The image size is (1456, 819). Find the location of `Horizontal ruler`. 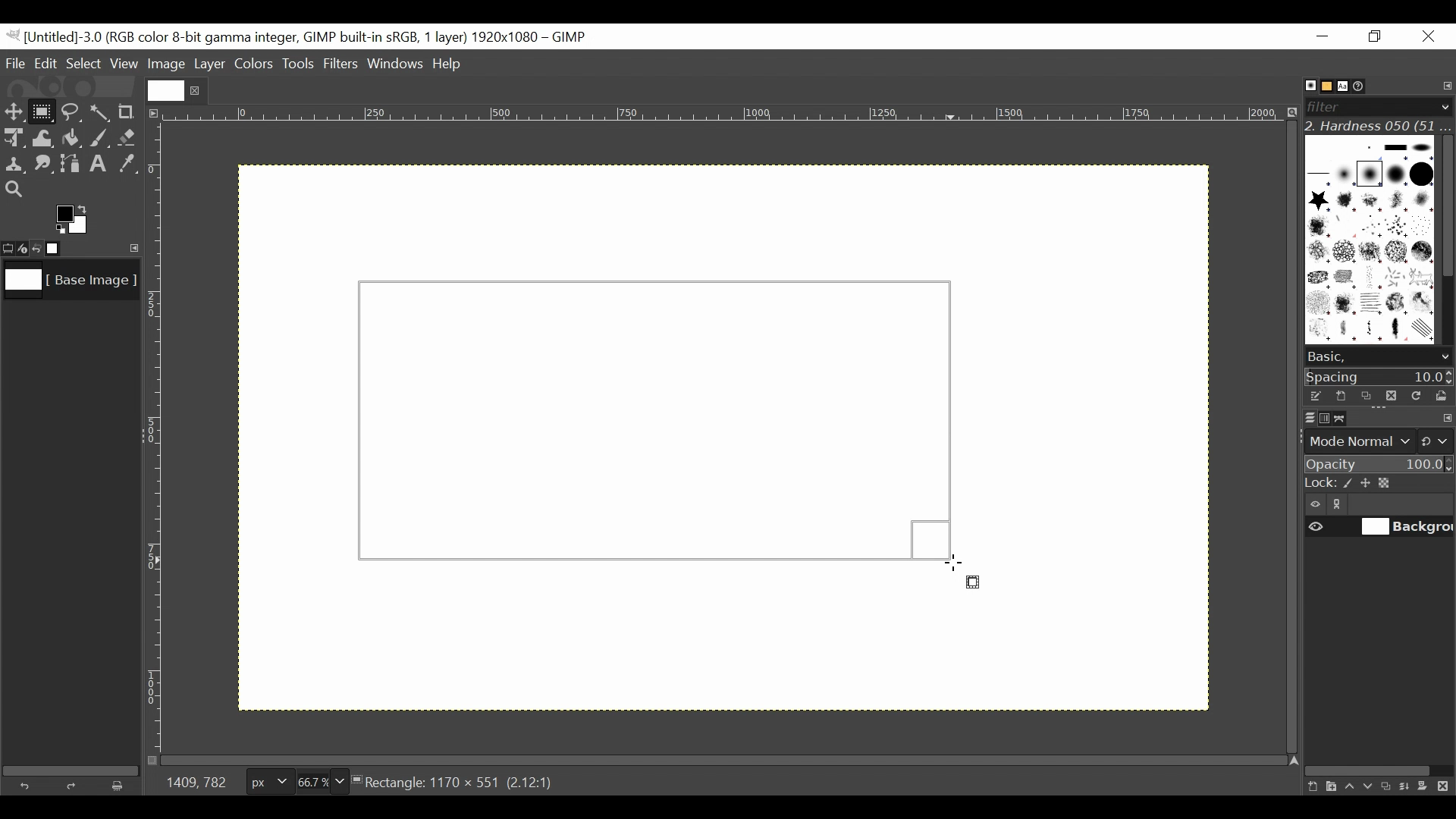

Horizontal ruler is located at coordinates (725, 116).